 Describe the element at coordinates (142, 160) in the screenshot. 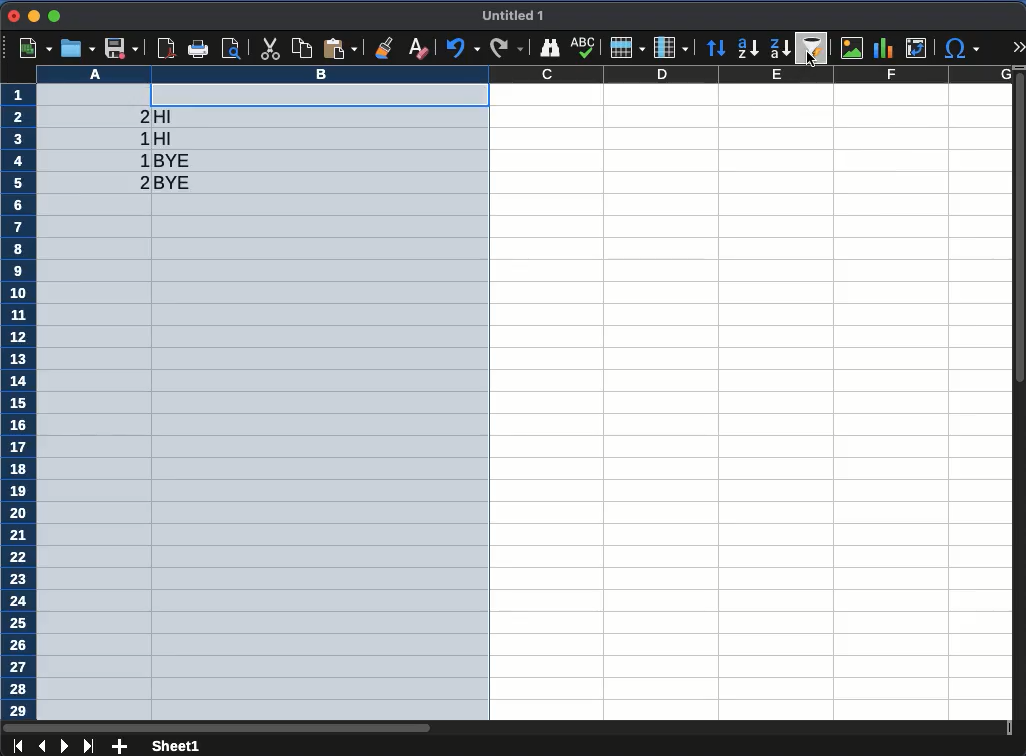

I see `1` at that location.